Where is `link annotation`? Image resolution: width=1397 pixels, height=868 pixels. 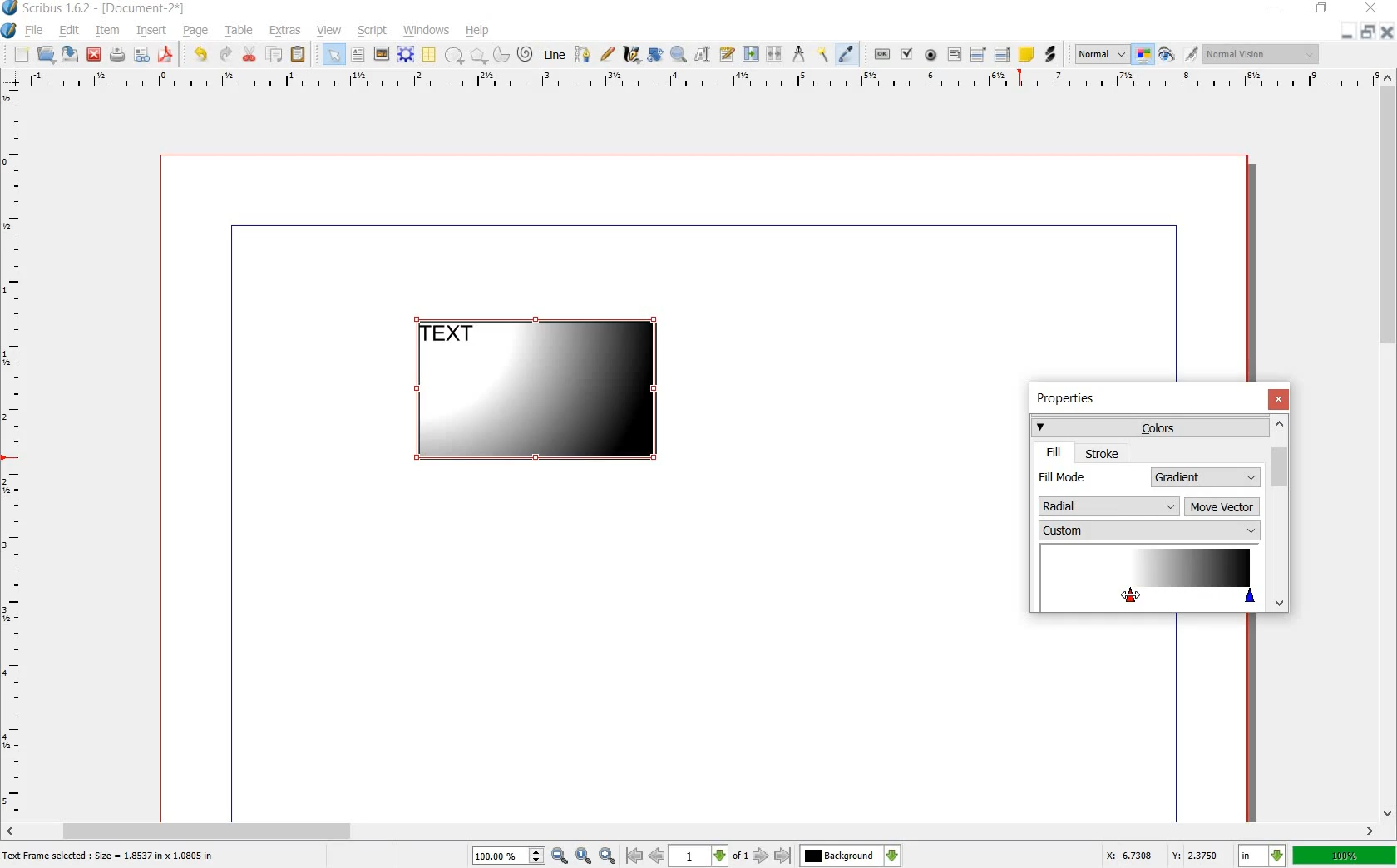 link annotation is located at coordinates (1049, 55).